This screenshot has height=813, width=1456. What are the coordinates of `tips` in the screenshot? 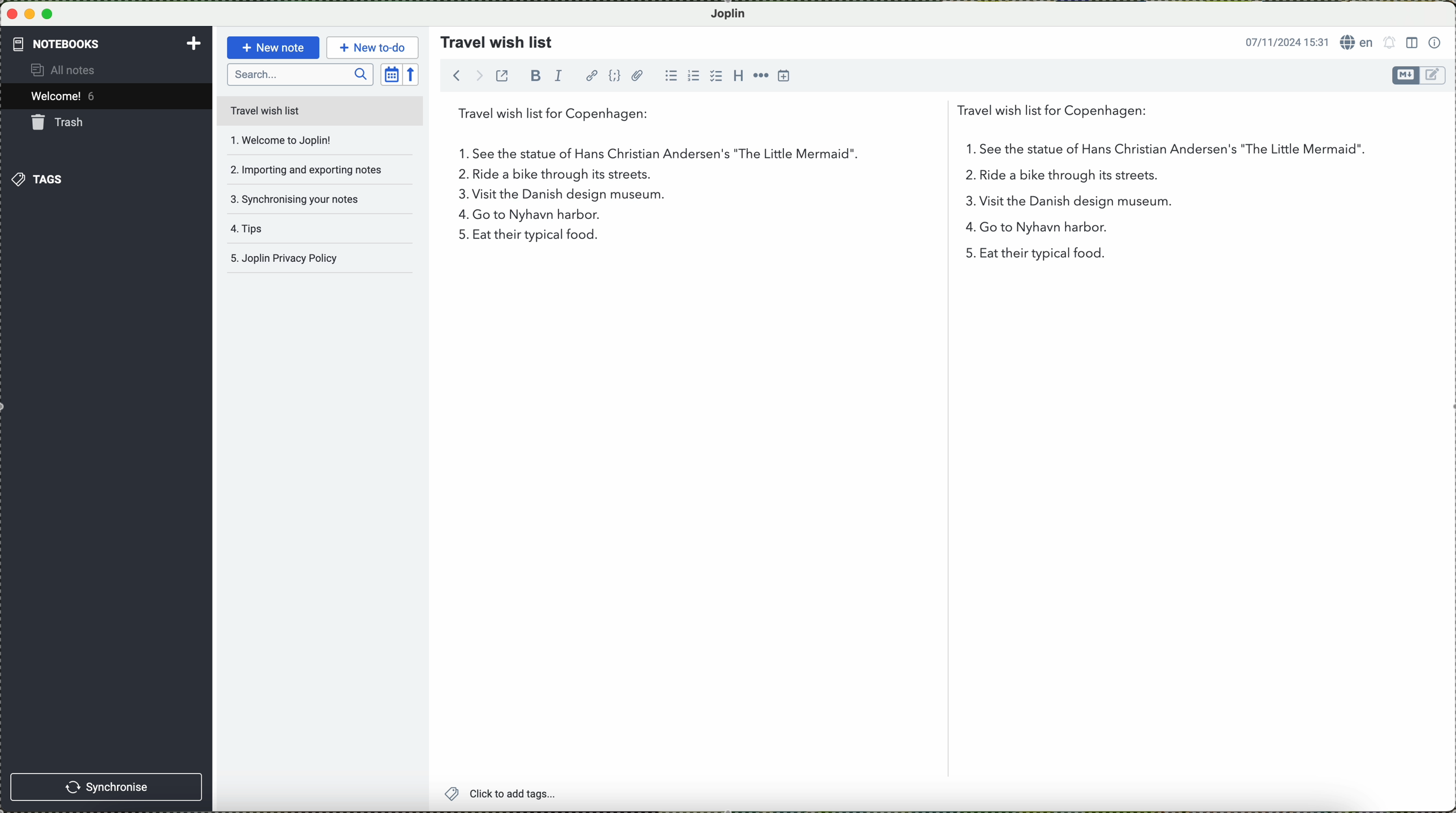 It's located at (298, 233).